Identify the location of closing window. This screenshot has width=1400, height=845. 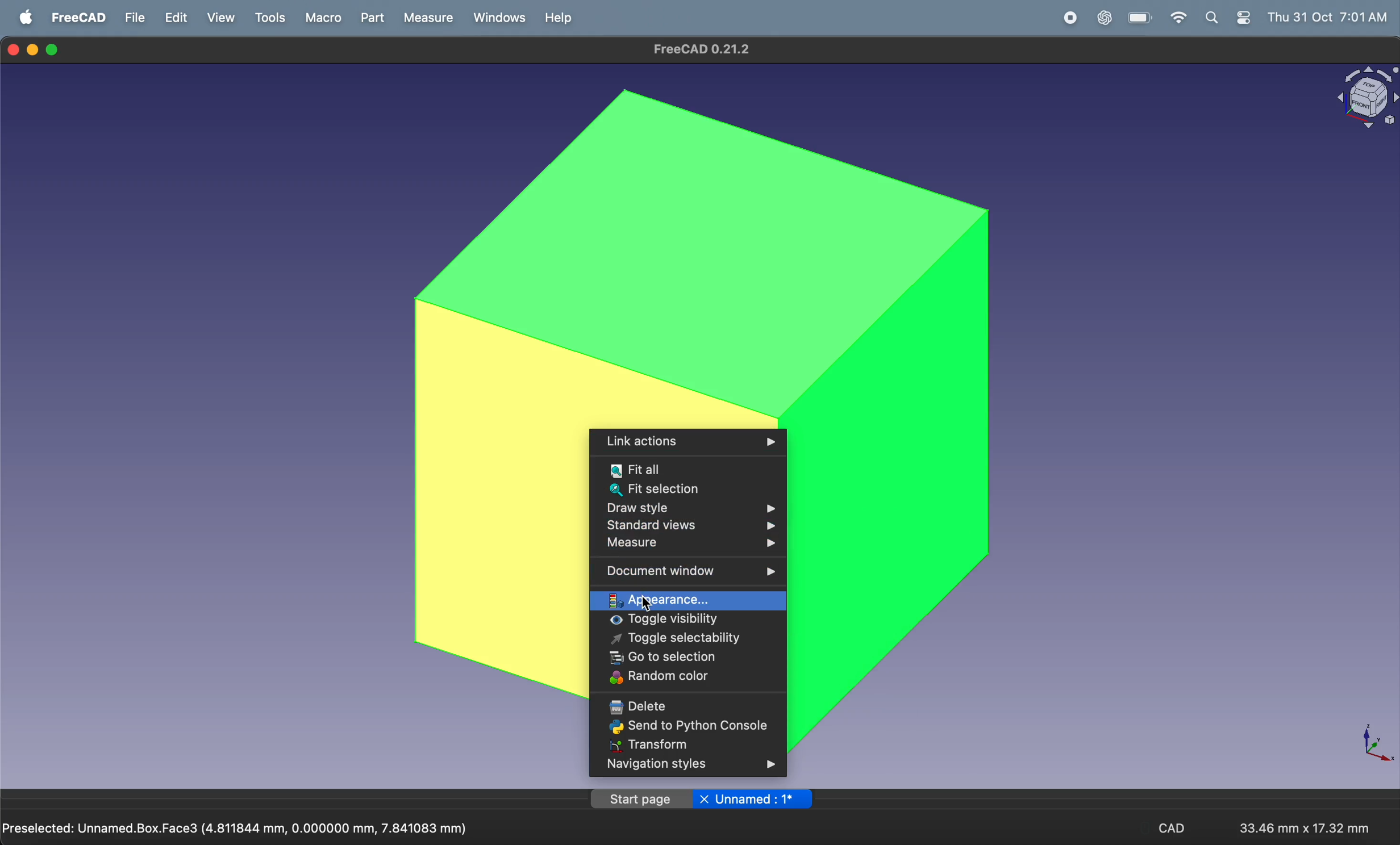
(14, 48).